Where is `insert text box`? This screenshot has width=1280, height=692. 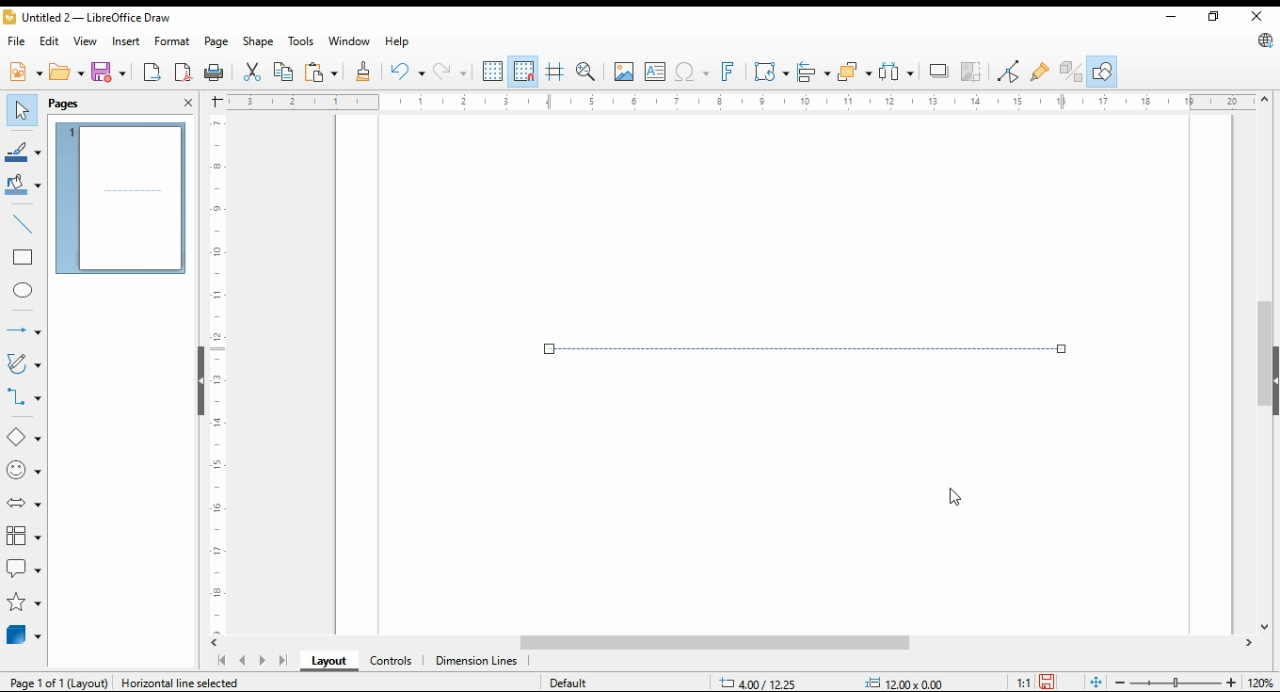 insert text box is located at coordinates (655, 71).